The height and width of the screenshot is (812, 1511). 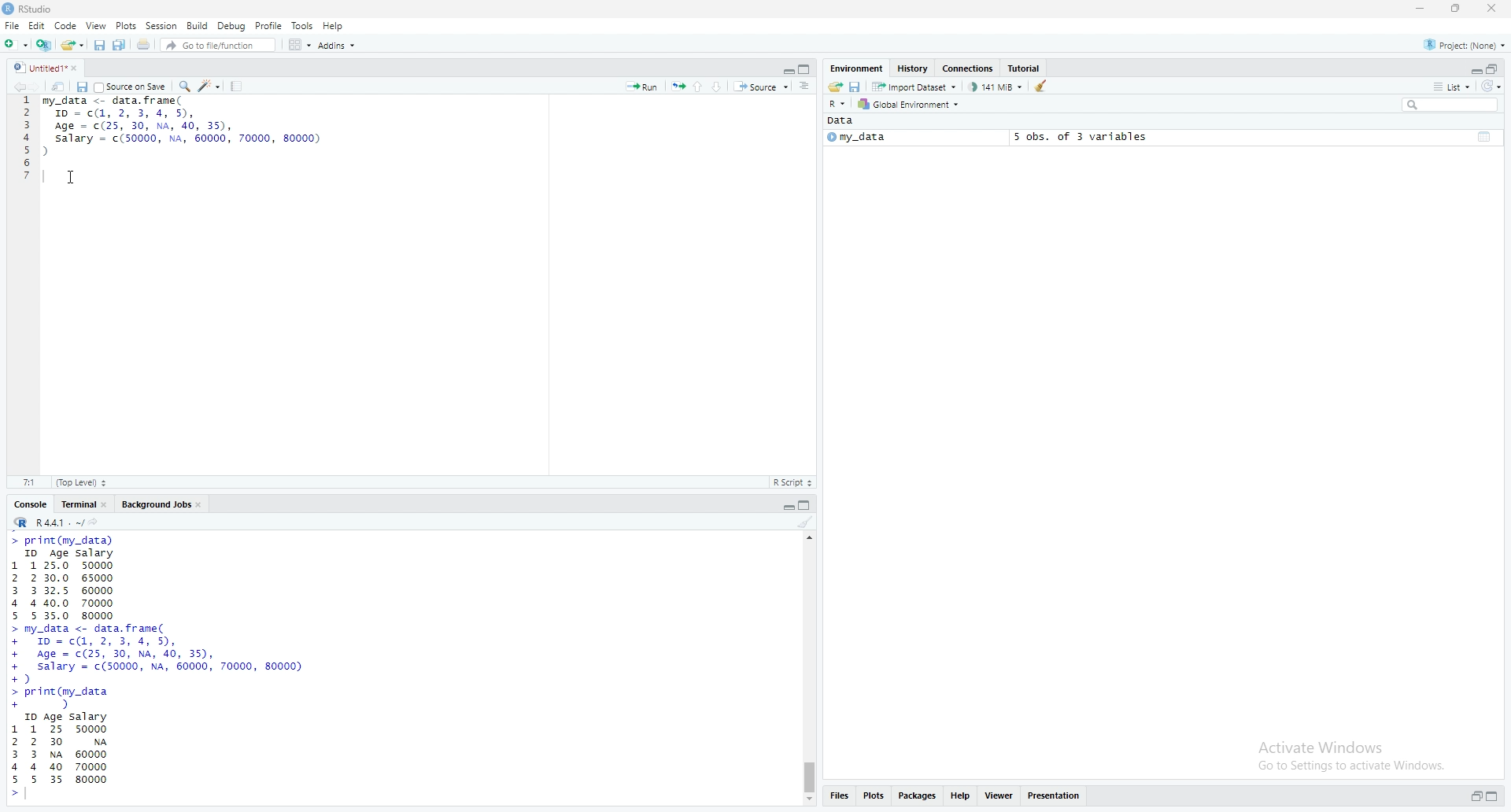 I want to click on new file, so click(x=17, y=45).